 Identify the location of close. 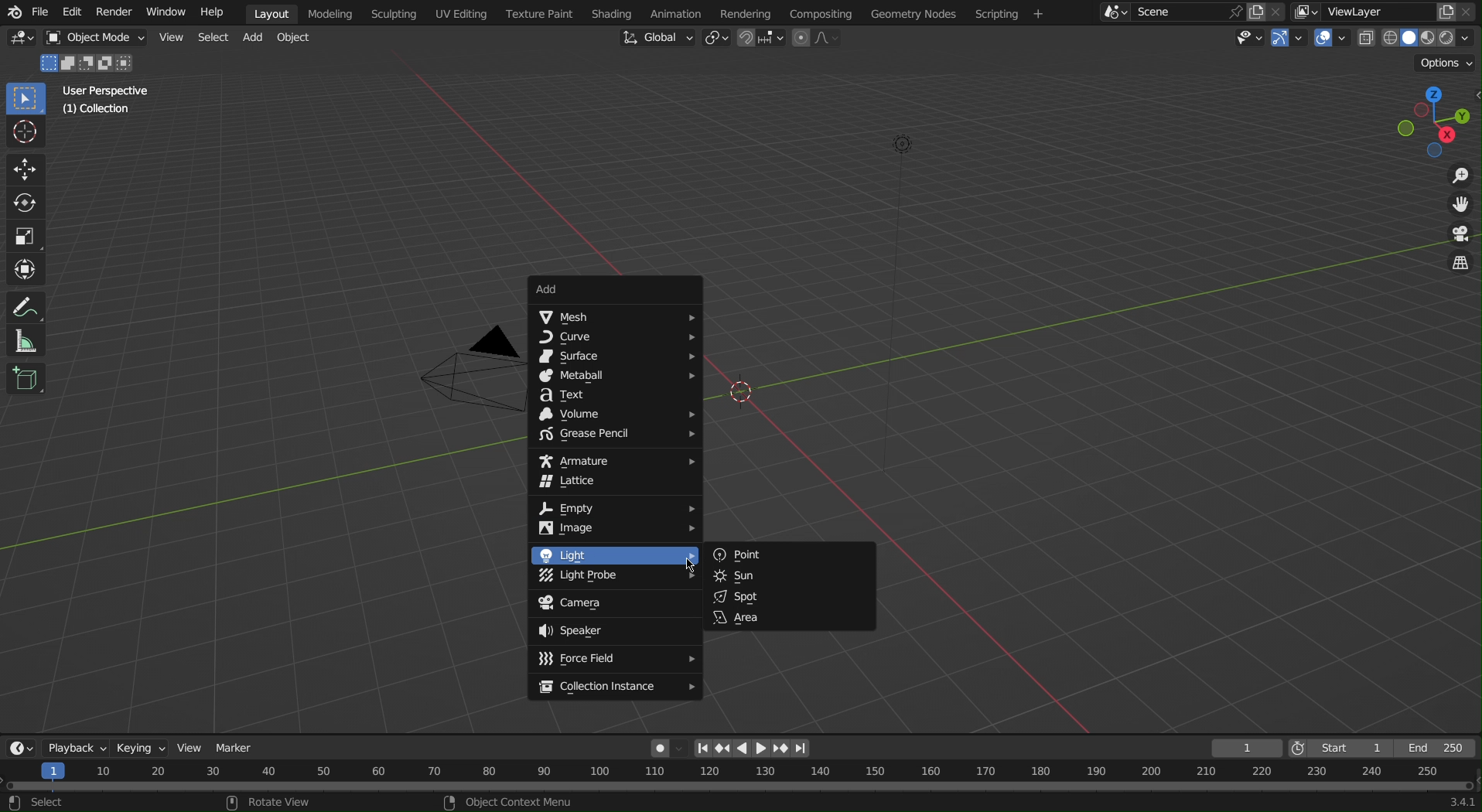
(1279, 11).